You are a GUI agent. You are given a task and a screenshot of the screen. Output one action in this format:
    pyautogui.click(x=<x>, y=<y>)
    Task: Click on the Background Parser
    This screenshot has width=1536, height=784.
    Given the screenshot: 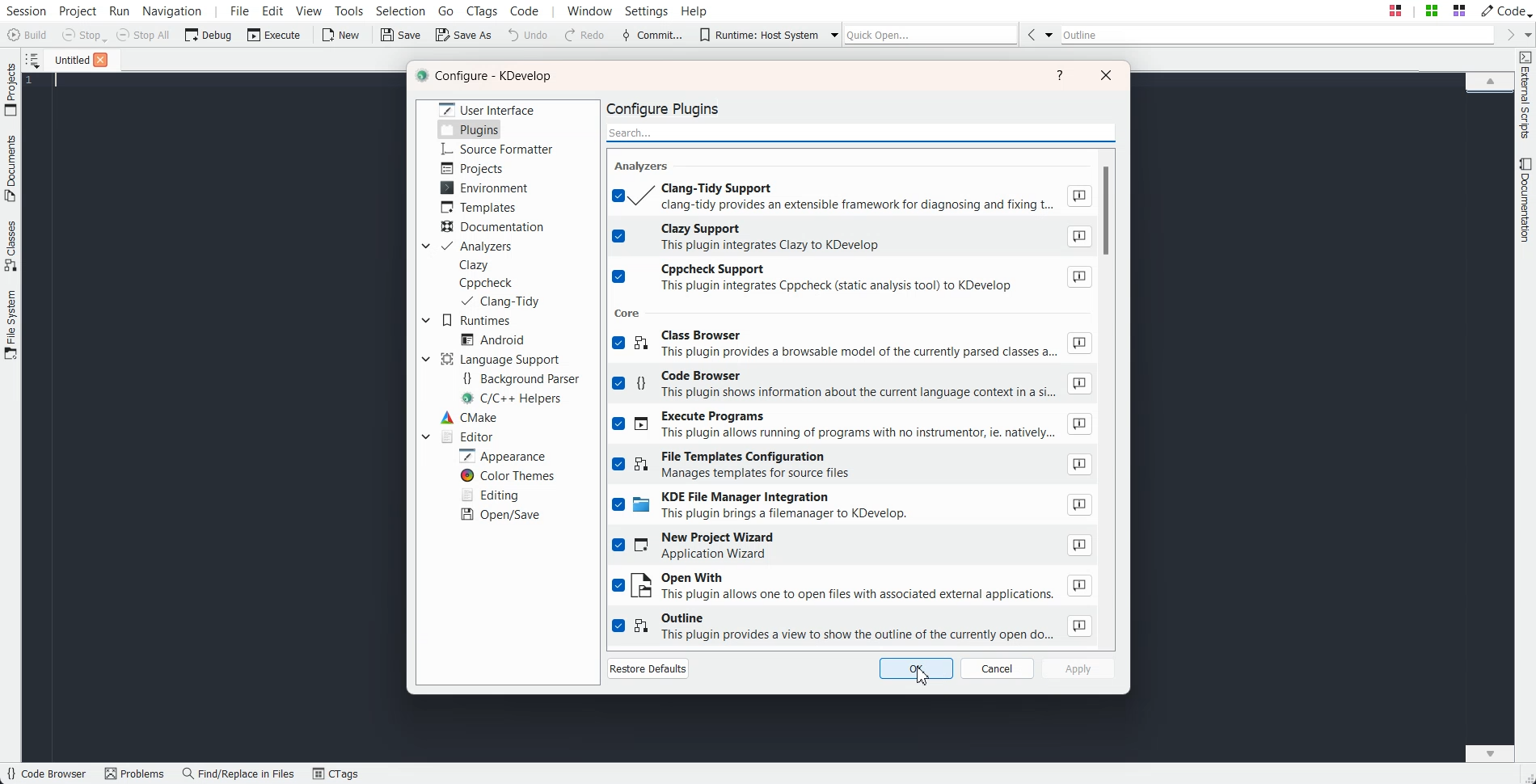 What is the action you would take?
    pyautogui.click(x=521, y=378)
    